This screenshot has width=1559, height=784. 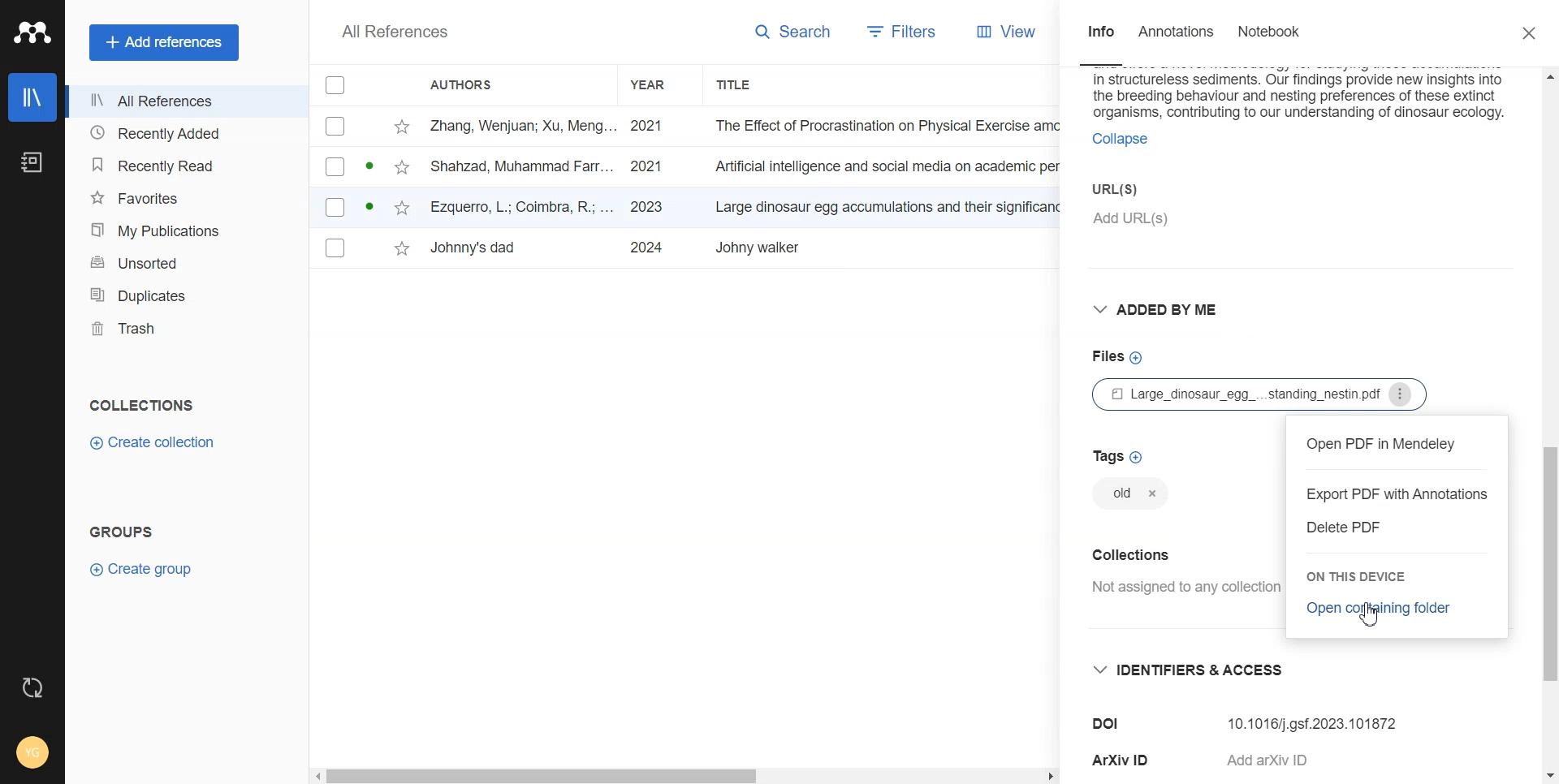 I want to click on Checklist, so click(x=332, y=84).